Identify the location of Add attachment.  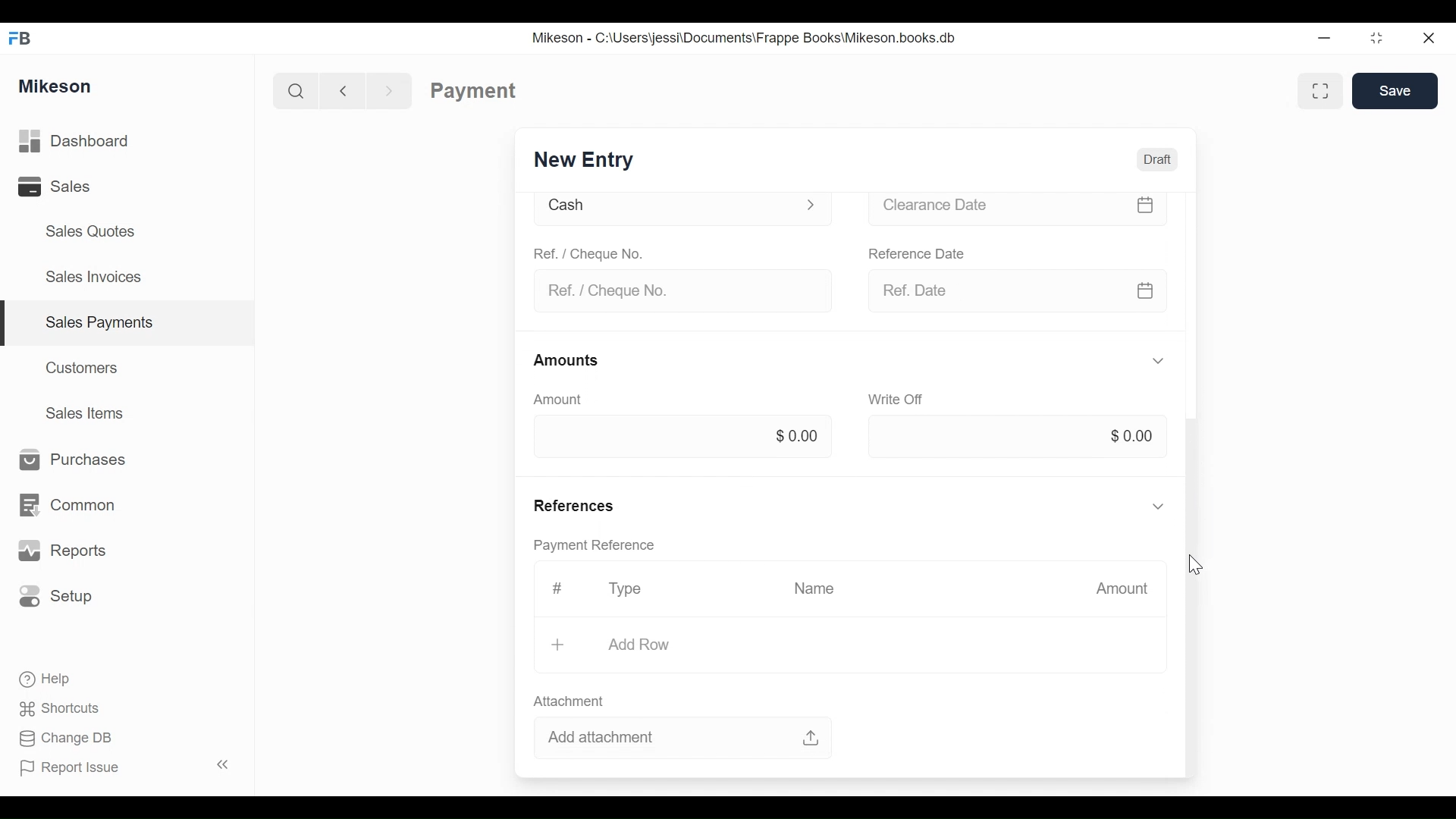
(687, 739).